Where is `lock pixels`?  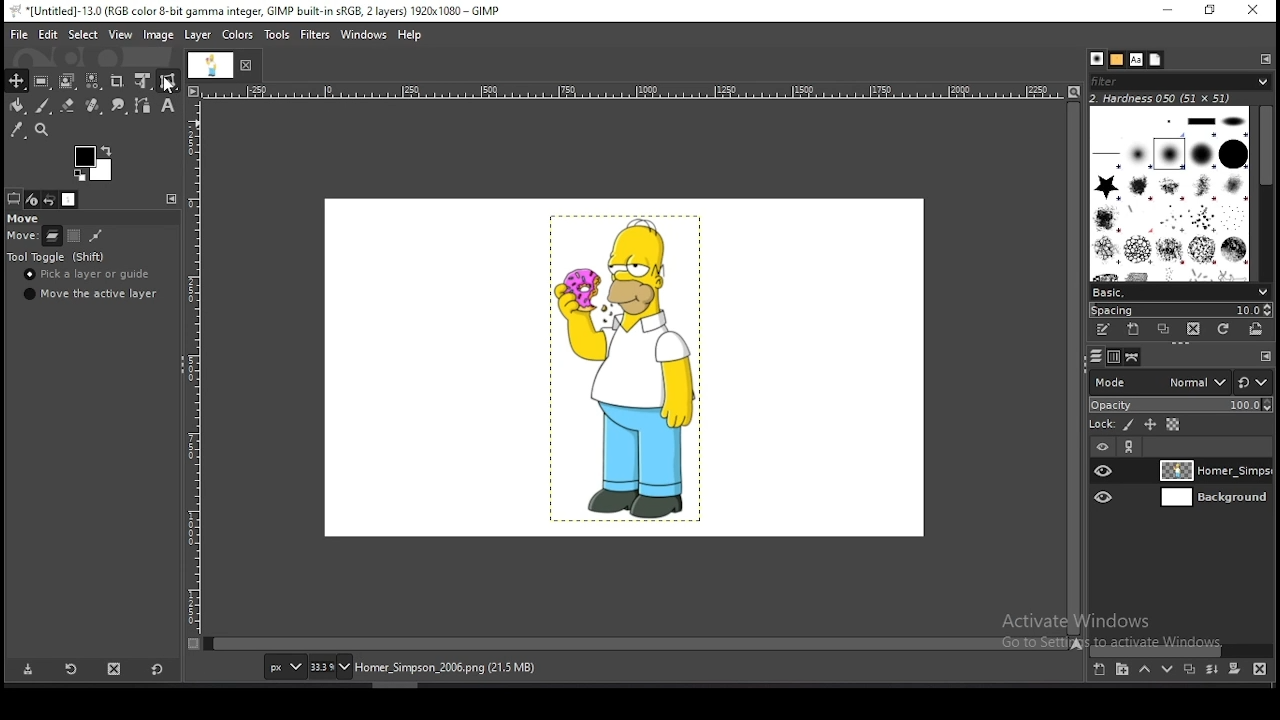 lock pixels is located at coordinates (1127, 426).